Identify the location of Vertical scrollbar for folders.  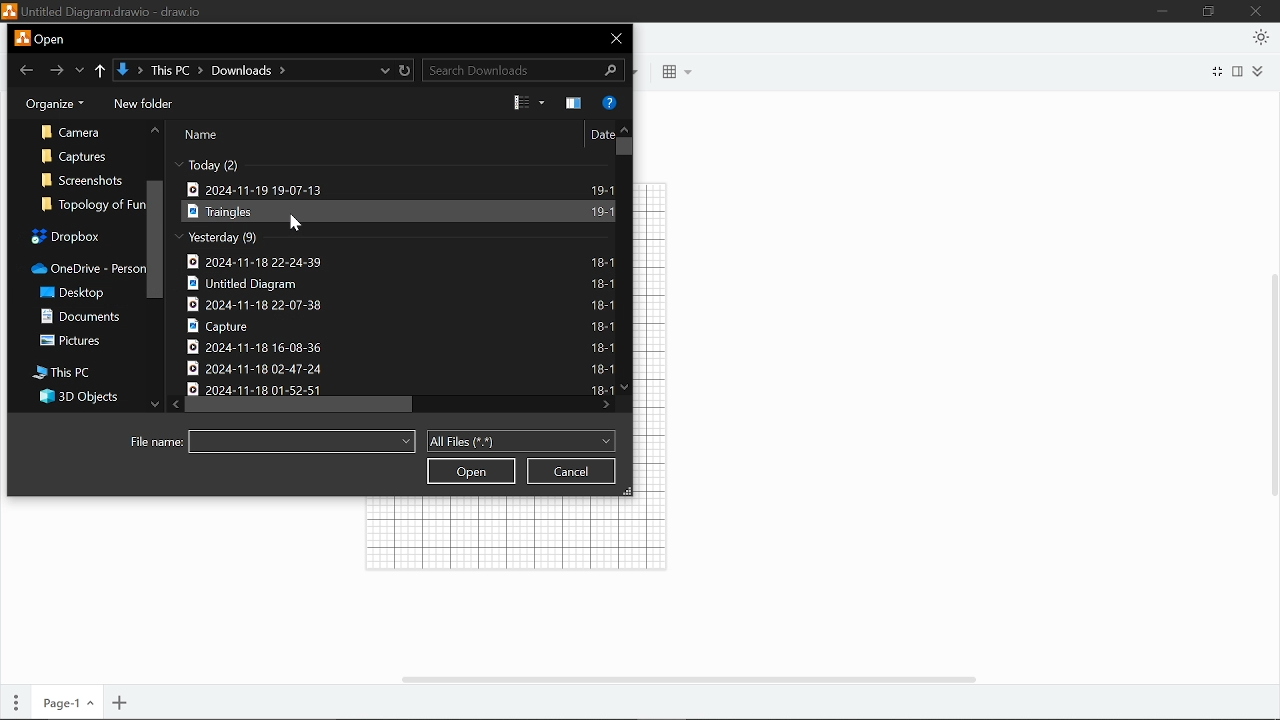
(155, 239).